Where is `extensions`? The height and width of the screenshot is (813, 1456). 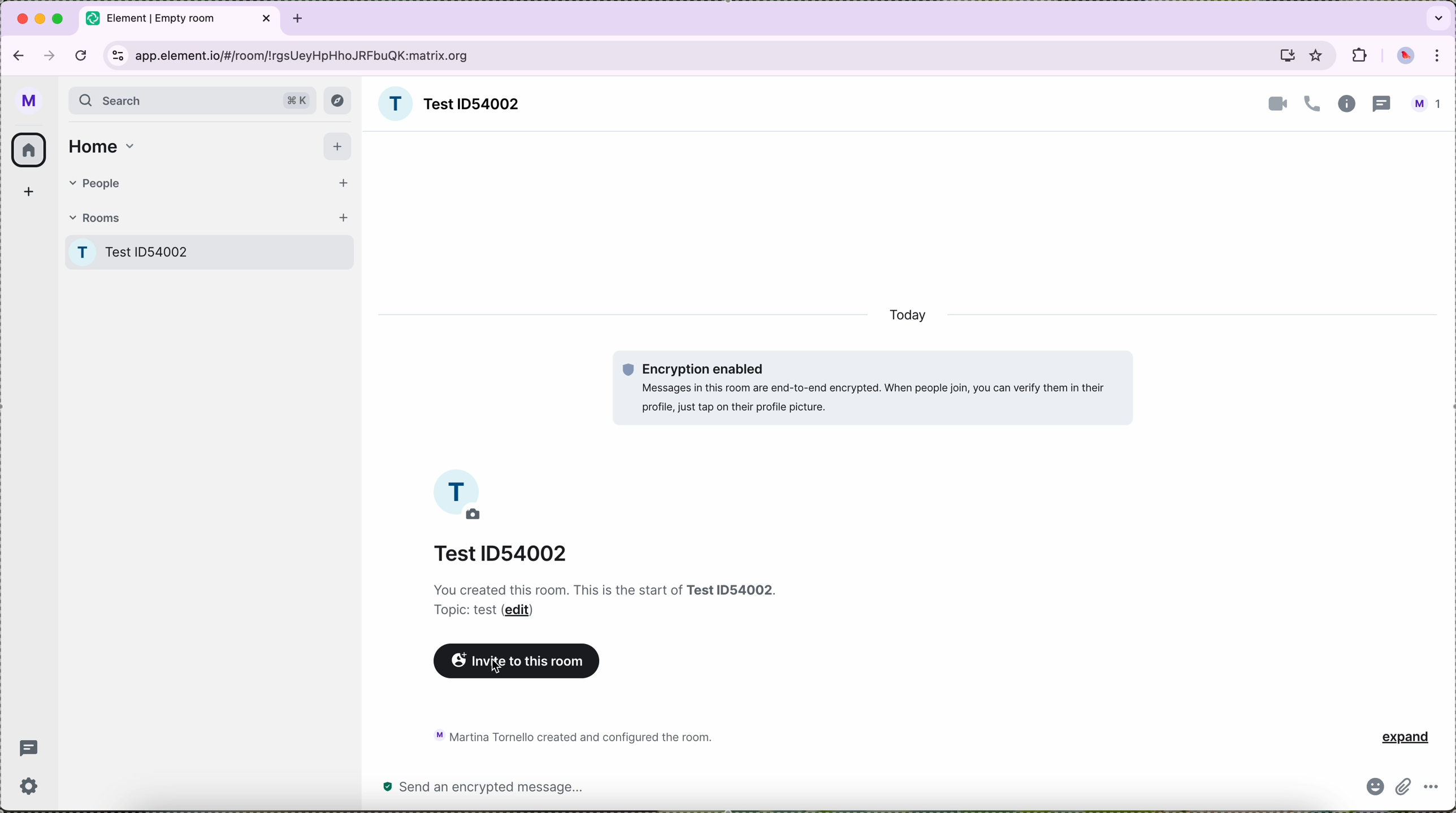
extensions is located at coordinates (1359, 56).